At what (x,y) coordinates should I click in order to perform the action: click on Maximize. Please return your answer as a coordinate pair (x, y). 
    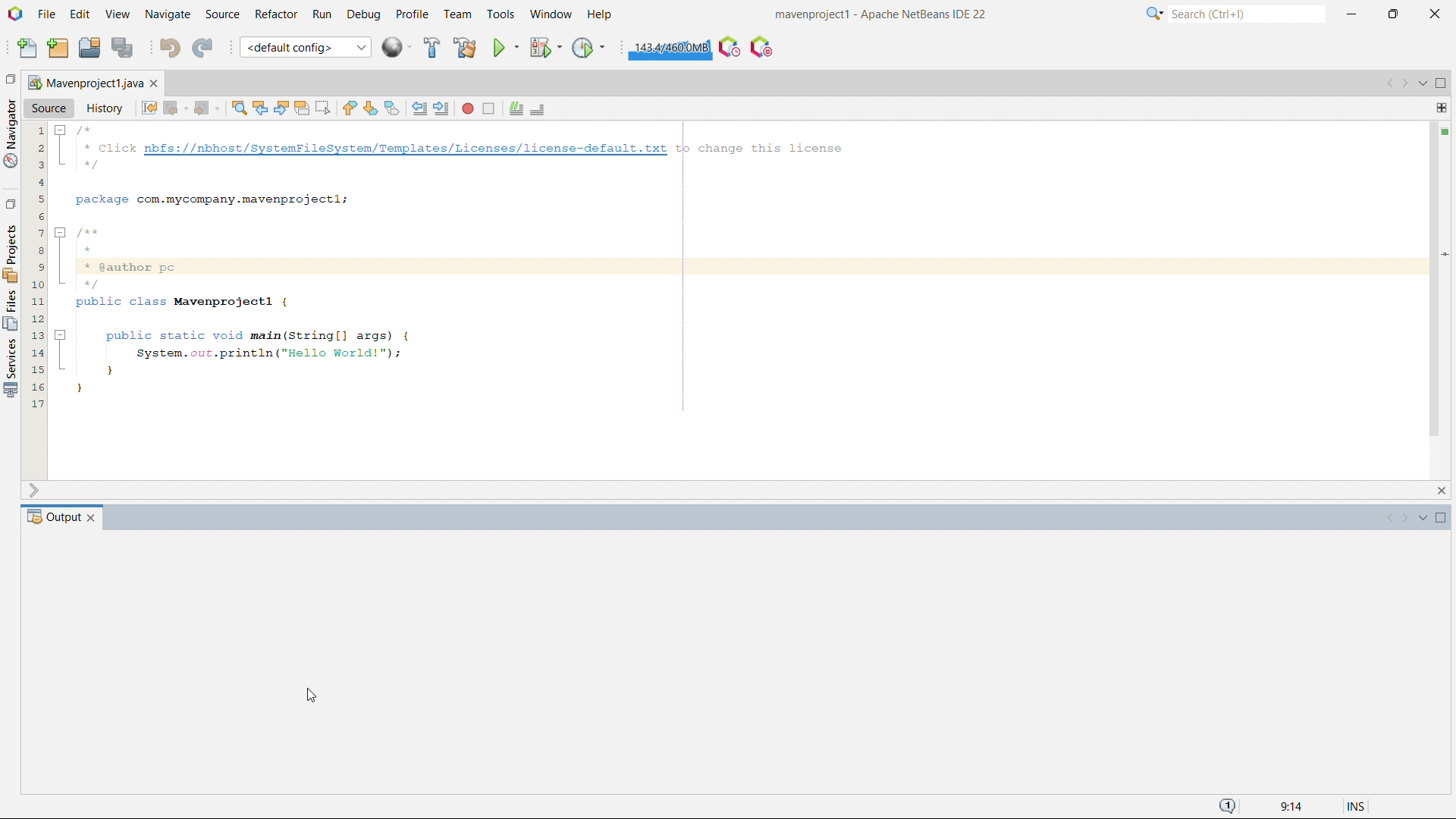
    Looking at the image, I should click on (1441, 521).